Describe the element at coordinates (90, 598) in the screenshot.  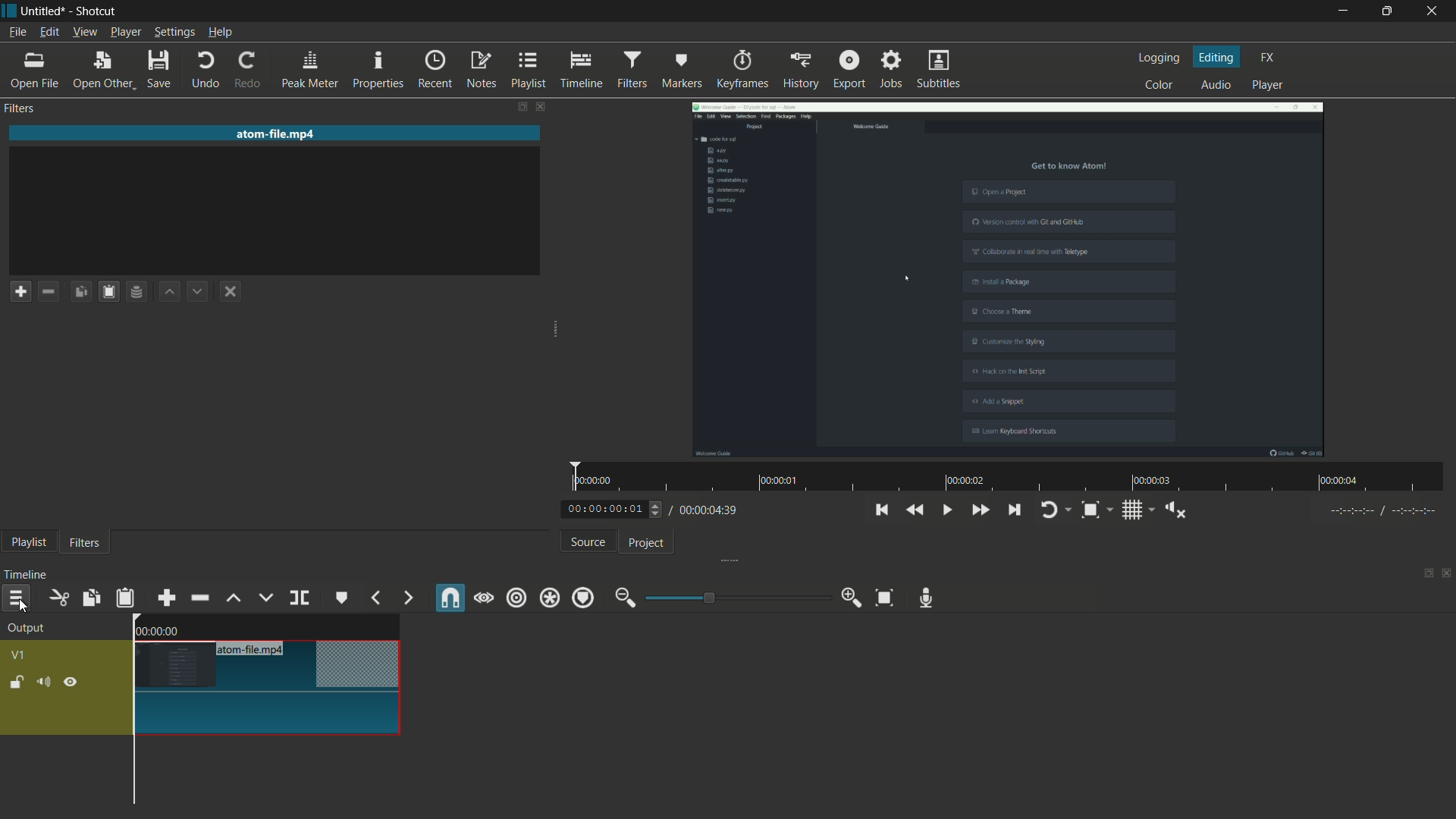
I see `copy` at that location.